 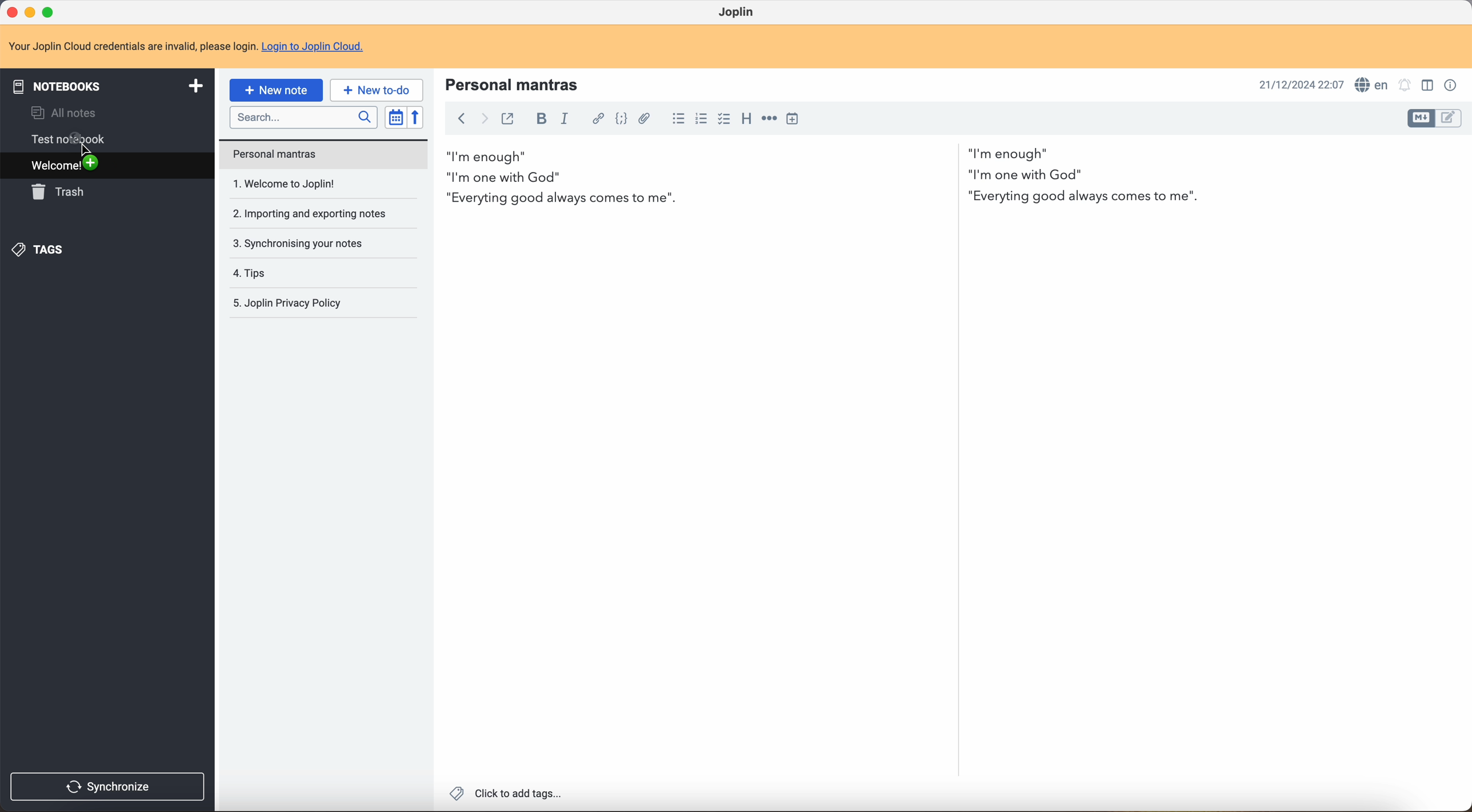 What do you see at coordinates (290, 303) in the screenshot?
I see `Joplin privacy policy` at bounding box center [290, 303].